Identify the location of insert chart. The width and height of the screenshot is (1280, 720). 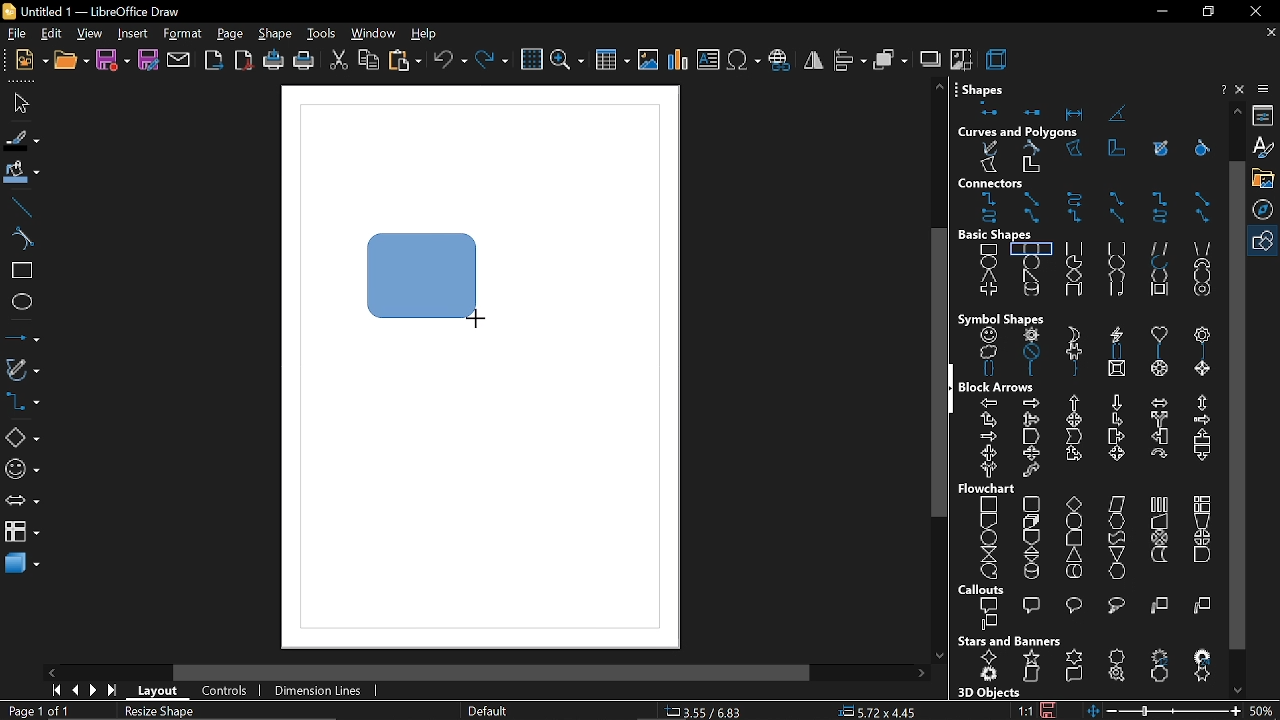
(678, 60).